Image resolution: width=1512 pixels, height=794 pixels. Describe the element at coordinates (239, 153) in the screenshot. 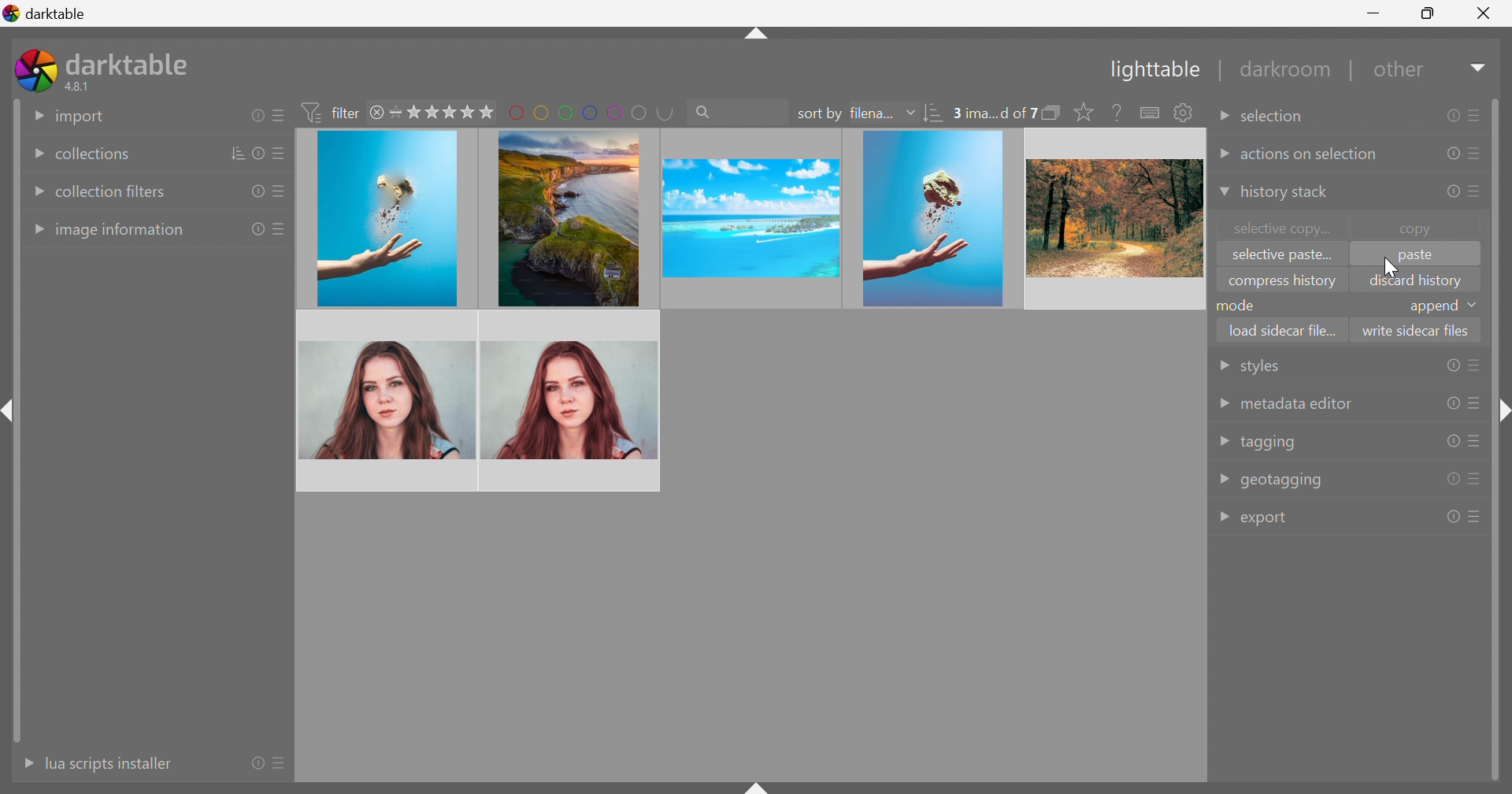

I see `sort` at that location.